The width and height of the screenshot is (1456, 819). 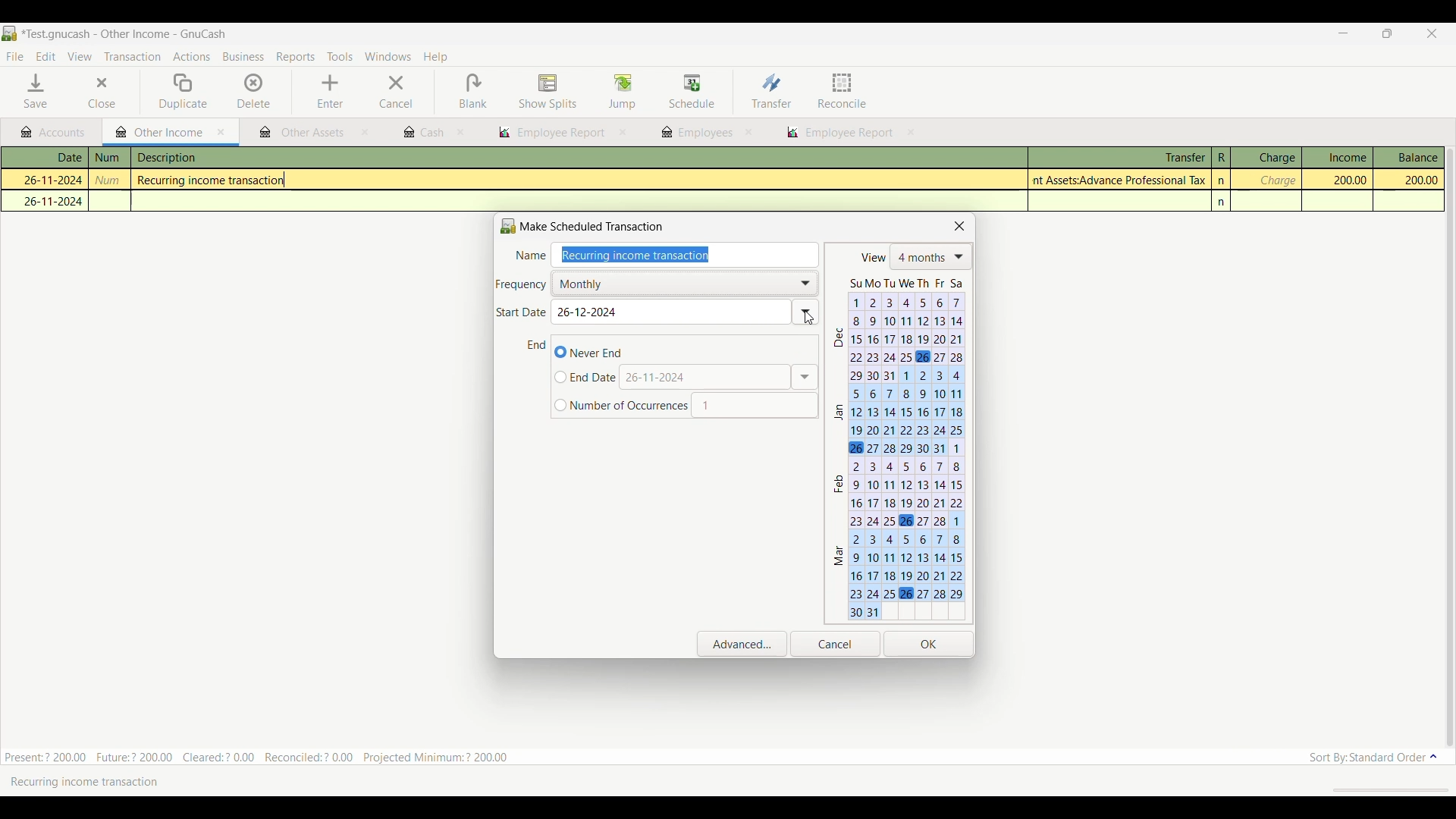 What do you see at coordinates (1409, 157) in the screenshot?
I see `Balance column` at bounding box center [1409, 157].